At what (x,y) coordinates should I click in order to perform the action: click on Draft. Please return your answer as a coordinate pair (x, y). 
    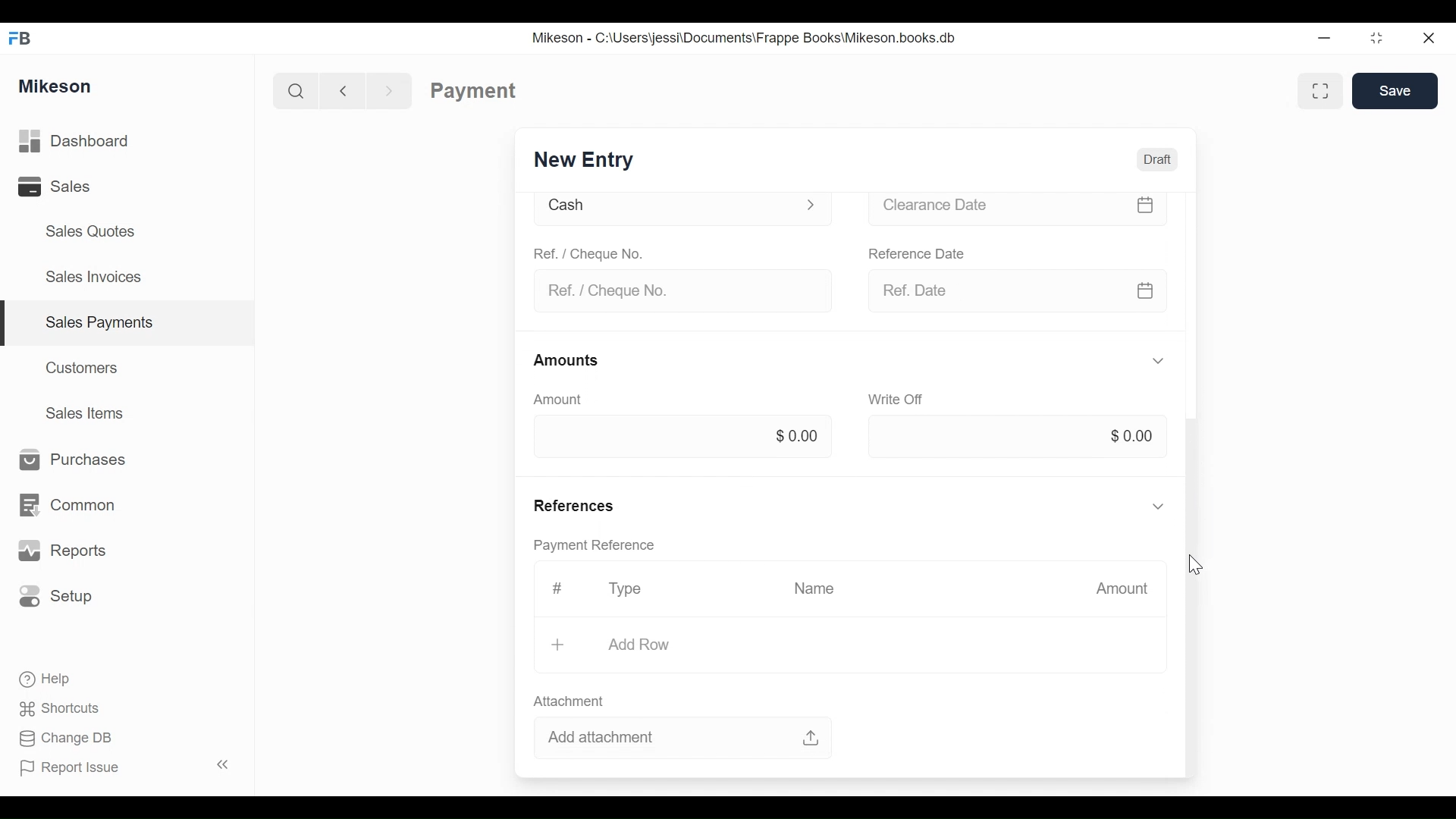
    Looking at the image, I should click on (1159, 159).